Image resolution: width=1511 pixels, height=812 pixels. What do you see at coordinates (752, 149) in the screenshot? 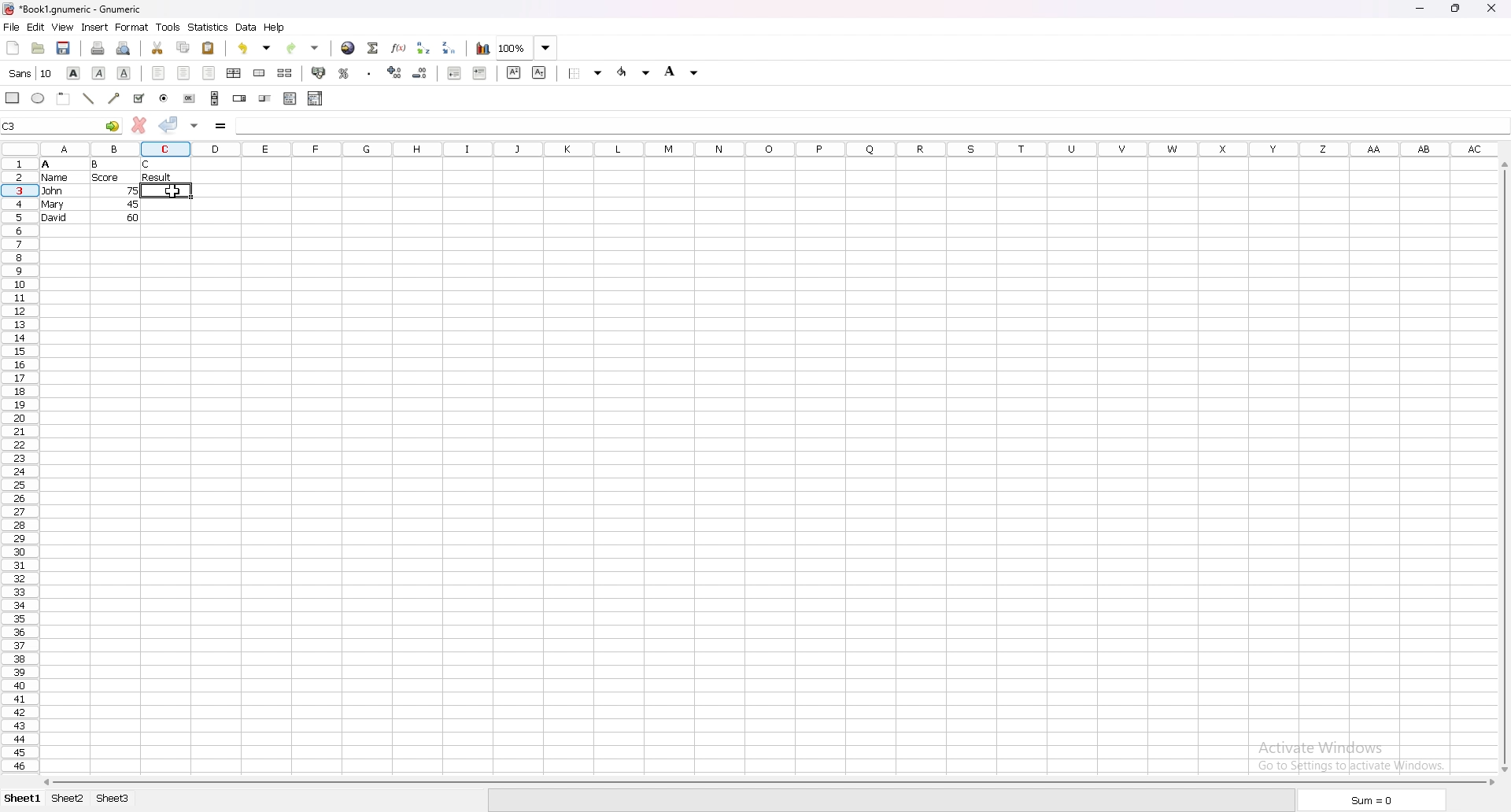
I see `column` at bounding box center [752, 149].